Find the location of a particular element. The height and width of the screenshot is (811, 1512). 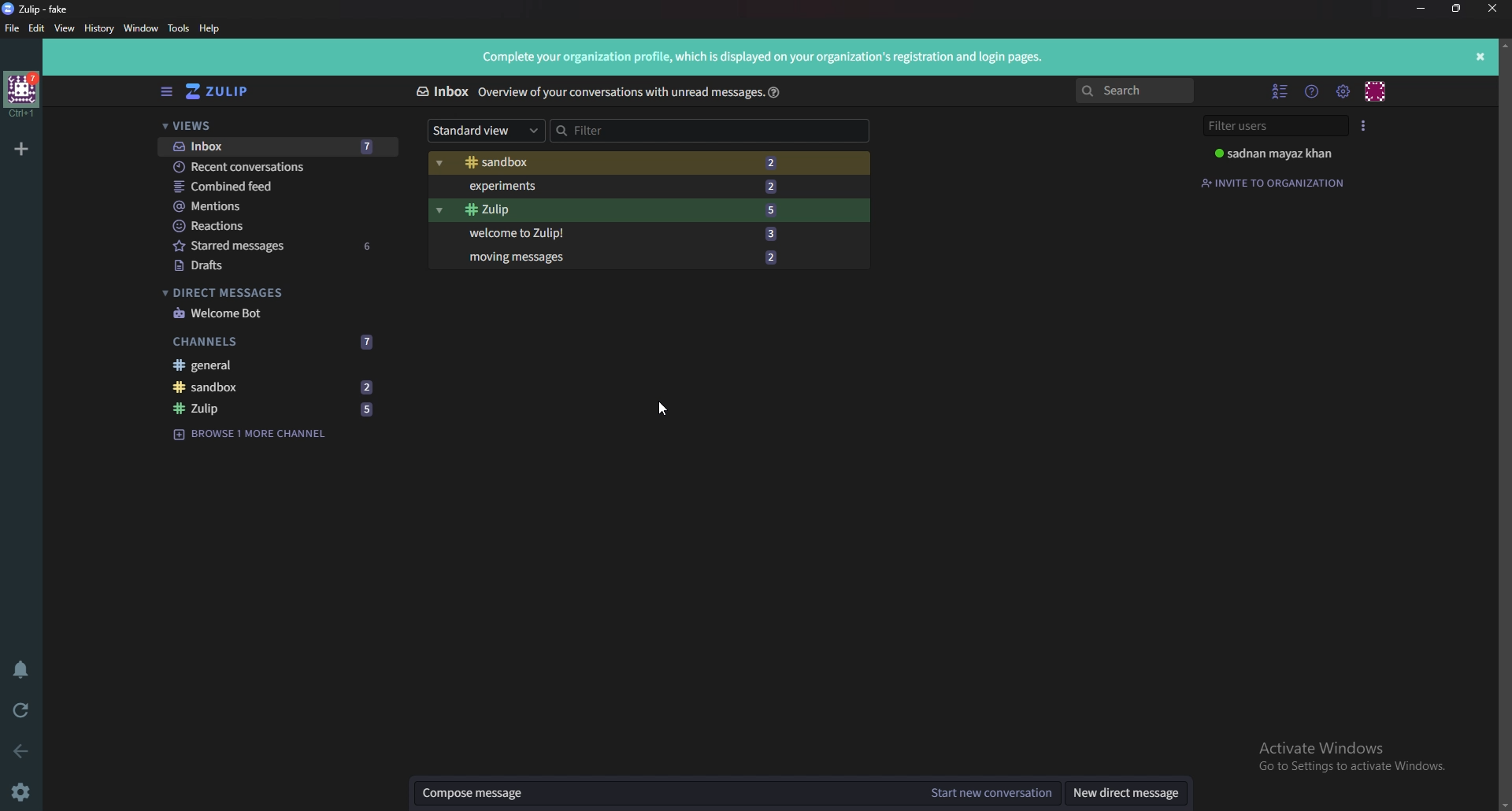

General is located at coordinates (279, 365).